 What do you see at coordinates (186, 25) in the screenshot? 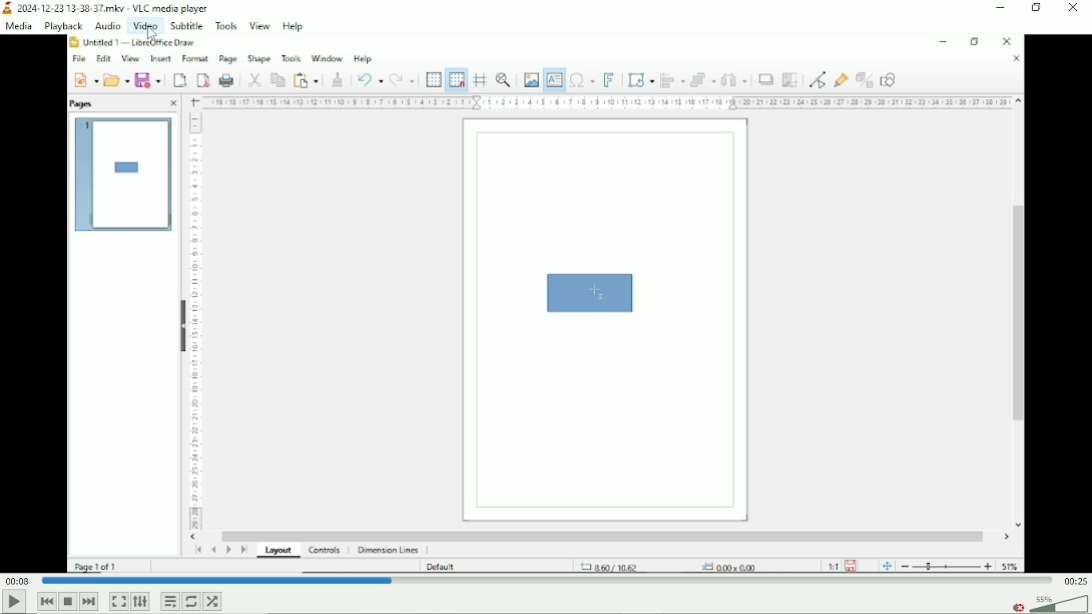
I see `Subtitle` at bounding box center [186, 25].